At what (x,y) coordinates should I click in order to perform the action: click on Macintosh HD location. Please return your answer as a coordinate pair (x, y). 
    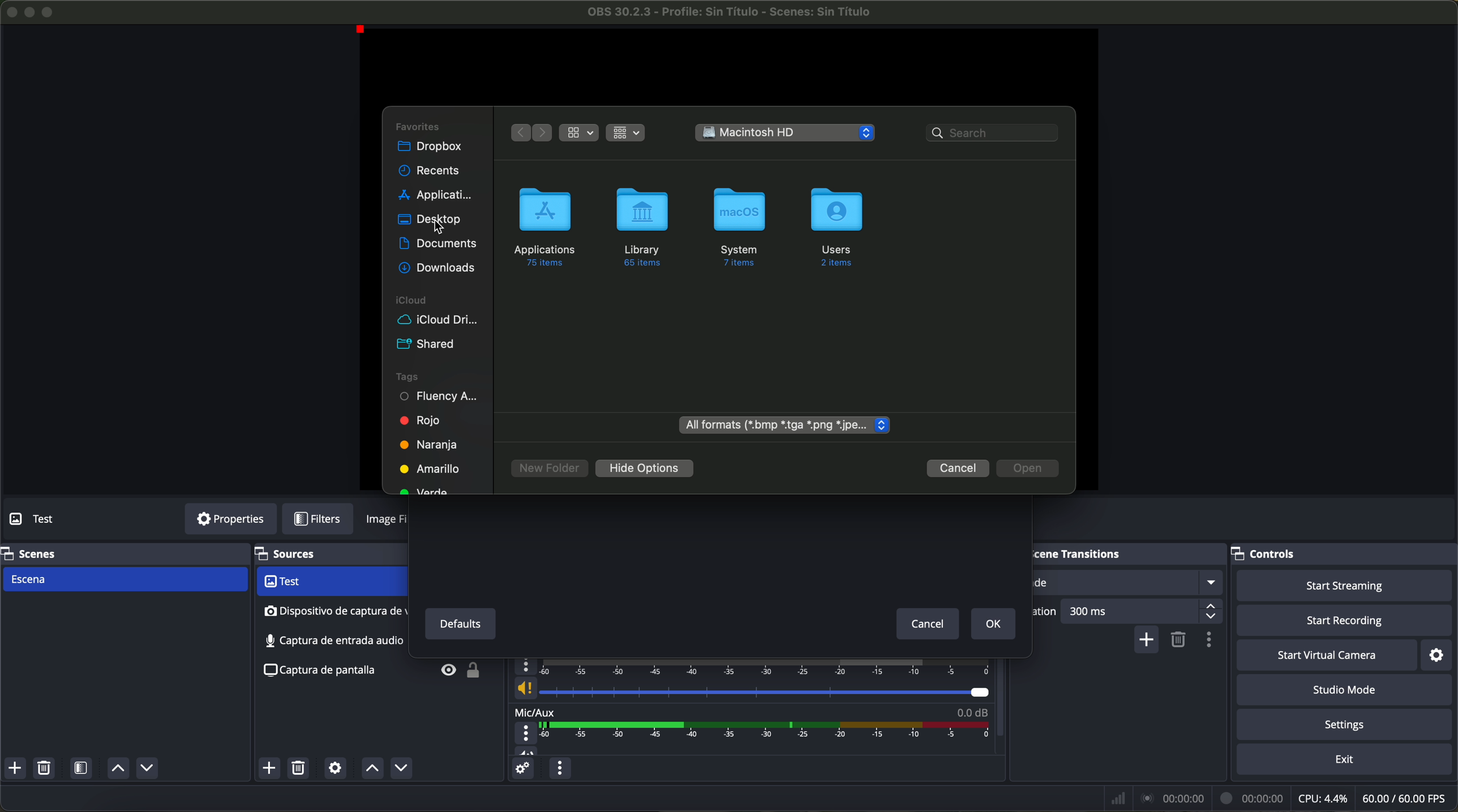
    Looking at the image, I should click on (785, 133).